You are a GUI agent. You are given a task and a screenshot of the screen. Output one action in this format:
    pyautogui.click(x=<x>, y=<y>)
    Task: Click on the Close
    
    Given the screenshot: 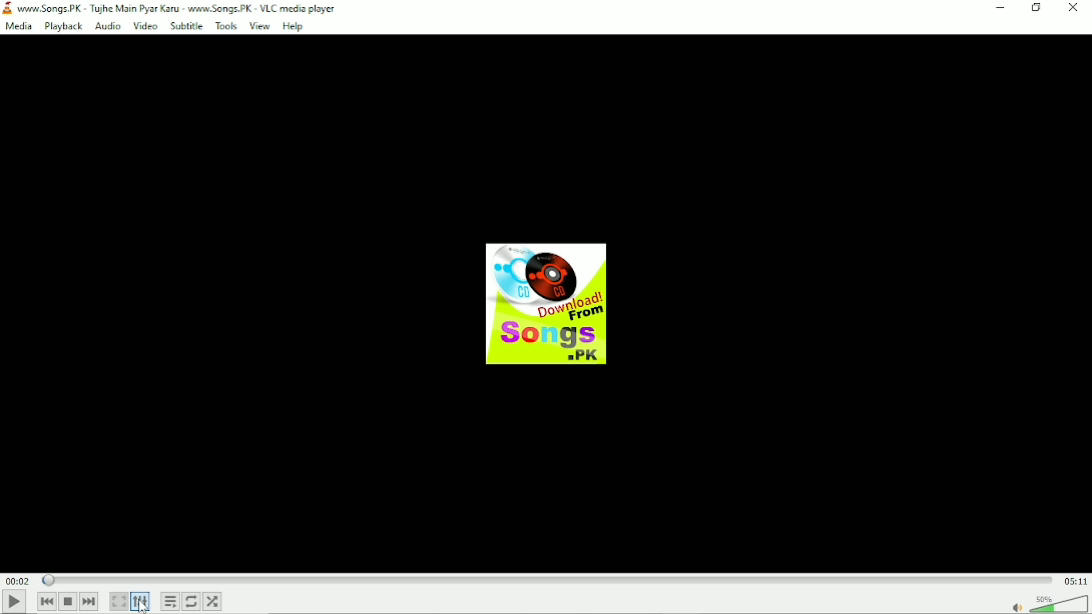 What is the action you would take?
    pyautogui.click(x=1073, y=9)
    